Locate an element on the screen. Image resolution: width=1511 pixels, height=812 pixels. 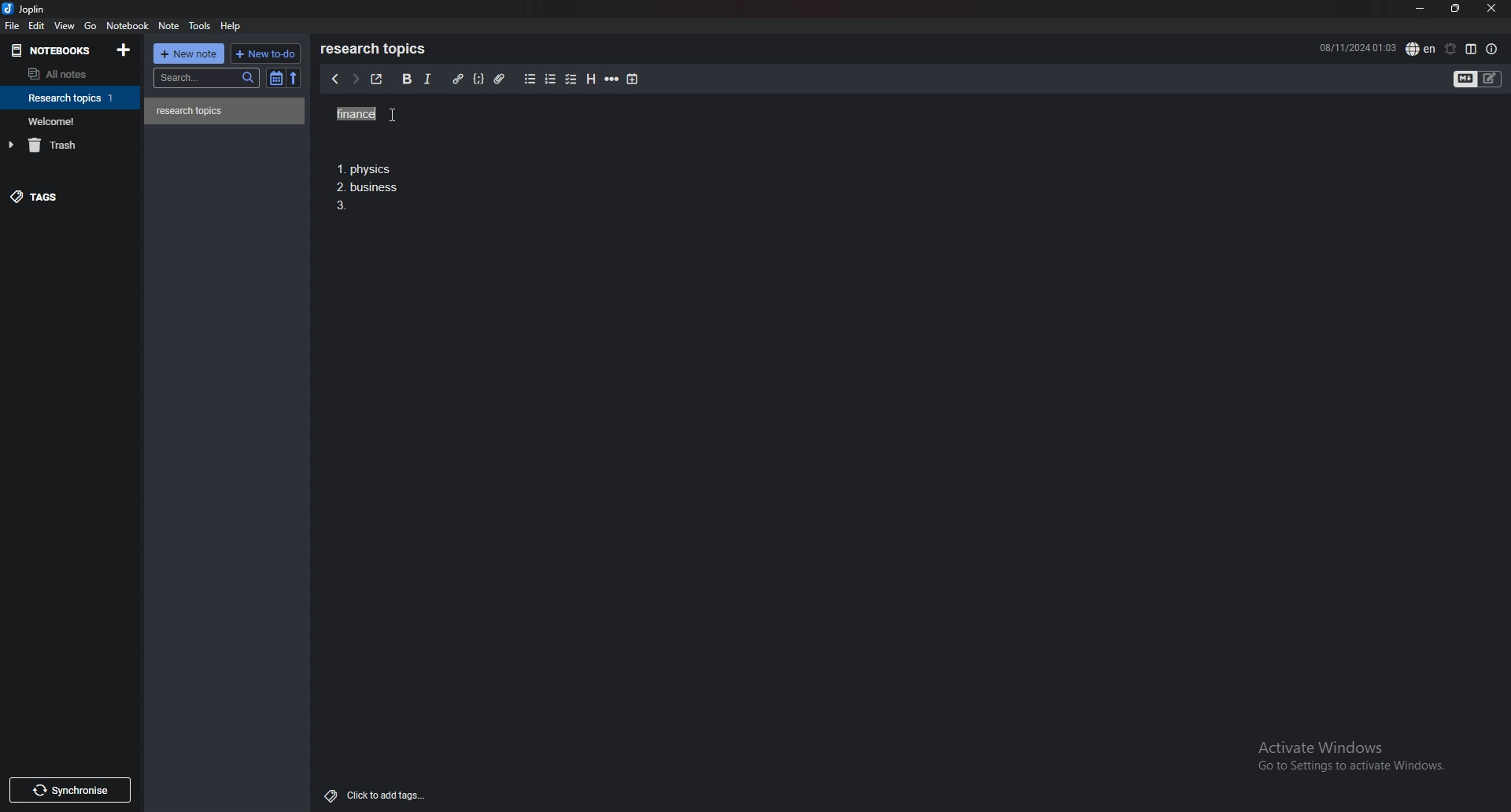
note is located at coordinates (225, 111).